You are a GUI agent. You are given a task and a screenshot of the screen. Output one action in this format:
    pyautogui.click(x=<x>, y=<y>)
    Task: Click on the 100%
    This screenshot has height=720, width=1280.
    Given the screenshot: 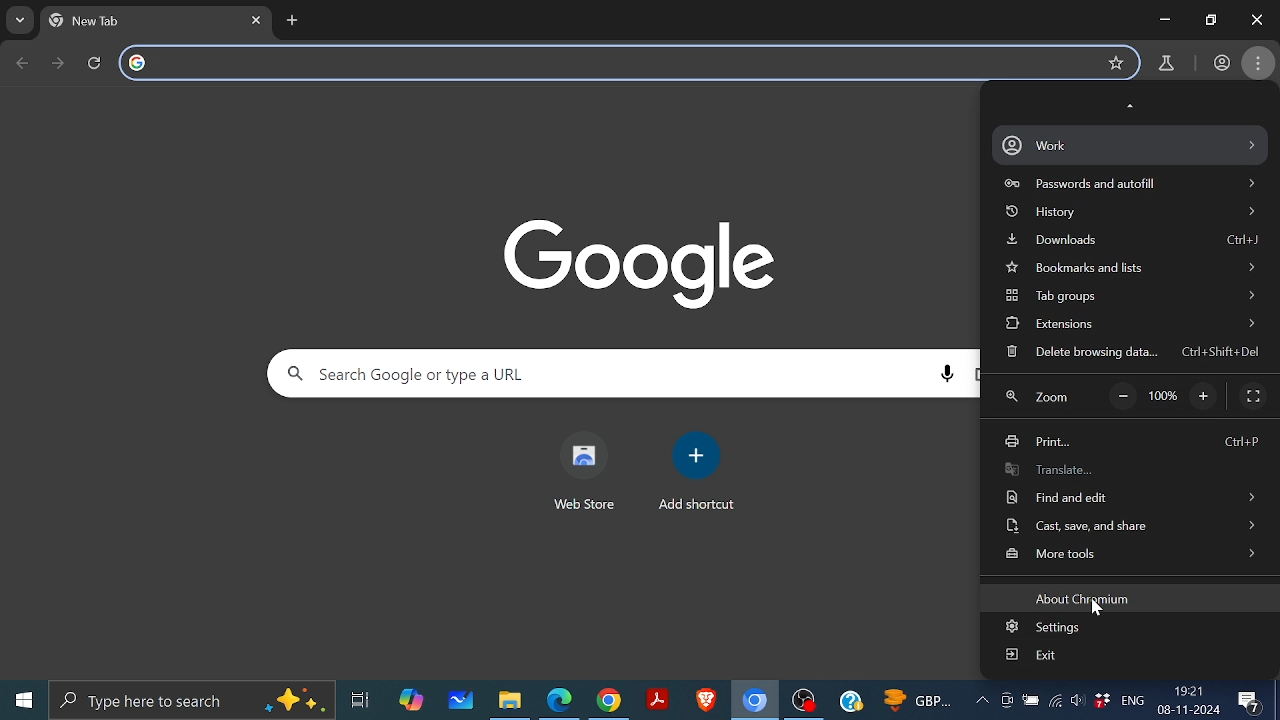 What is the action you would take?
    pyautogui.click(x=1163, y=397)
    